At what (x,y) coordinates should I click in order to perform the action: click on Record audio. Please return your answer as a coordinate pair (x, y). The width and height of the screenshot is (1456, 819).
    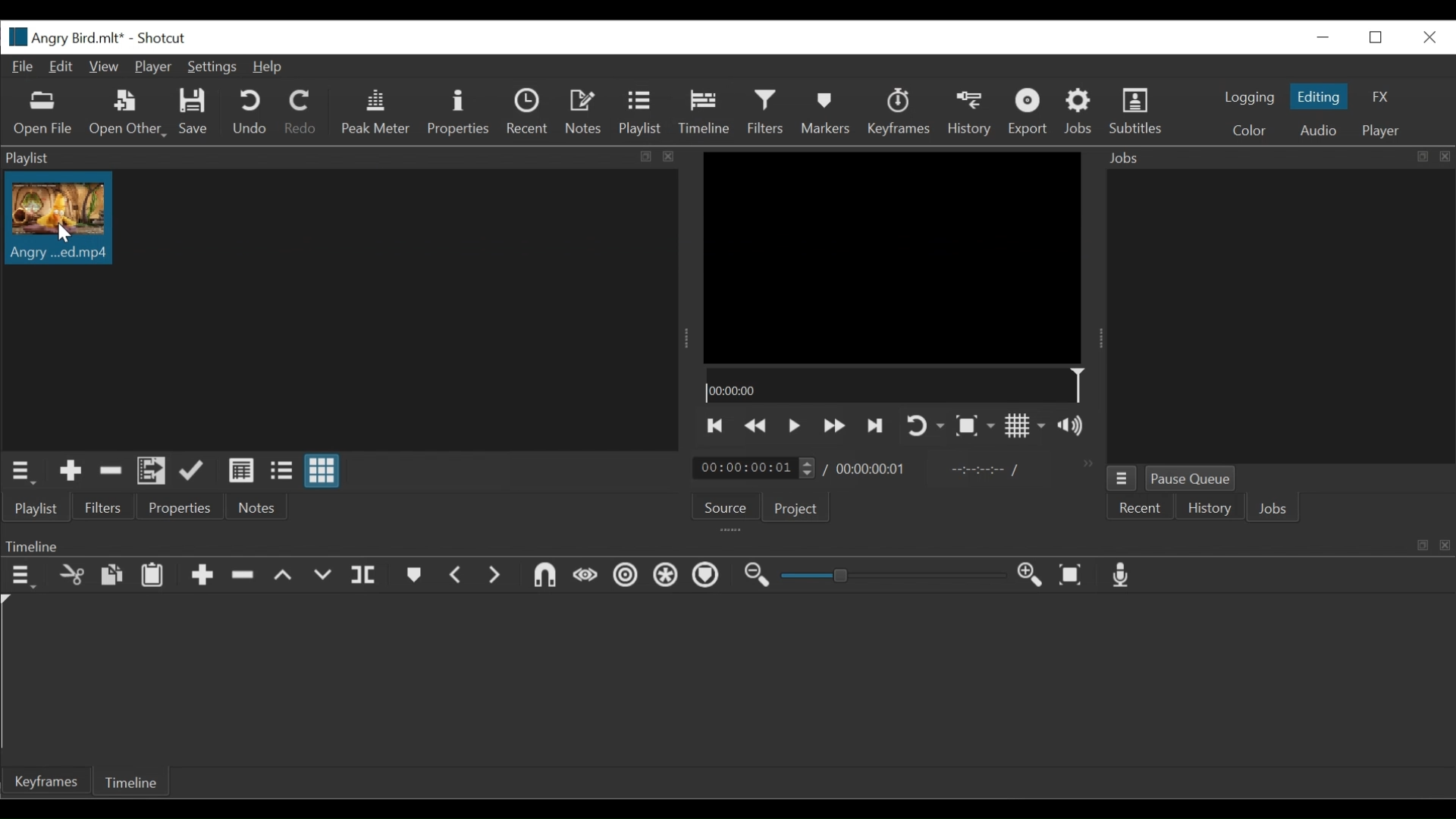
    Looking at the image, I should click on (1122, 576).